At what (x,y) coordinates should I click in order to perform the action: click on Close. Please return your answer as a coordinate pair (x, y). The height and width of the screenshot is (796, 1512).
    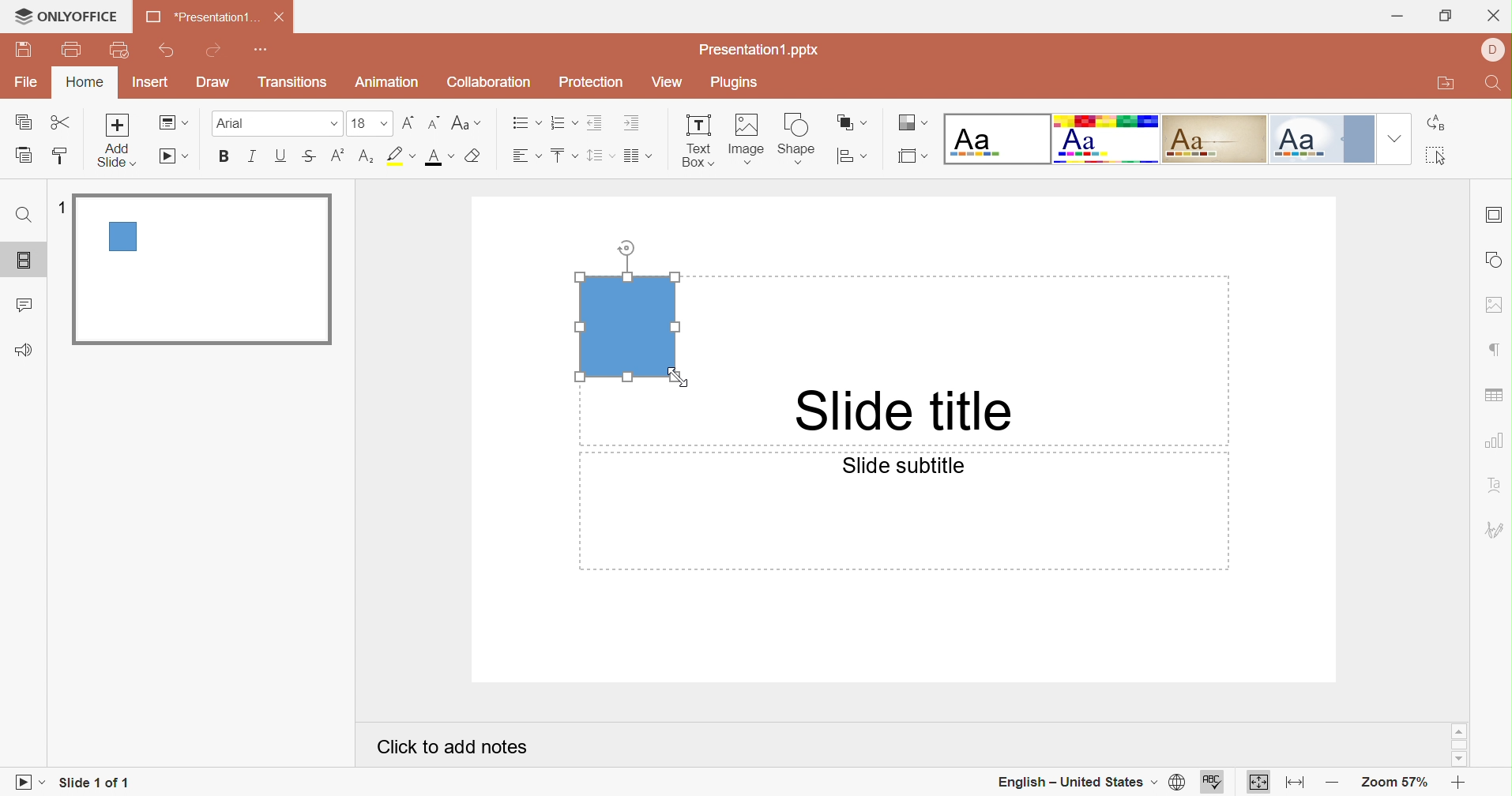
    Looking at the image, I should click on (280, 17).